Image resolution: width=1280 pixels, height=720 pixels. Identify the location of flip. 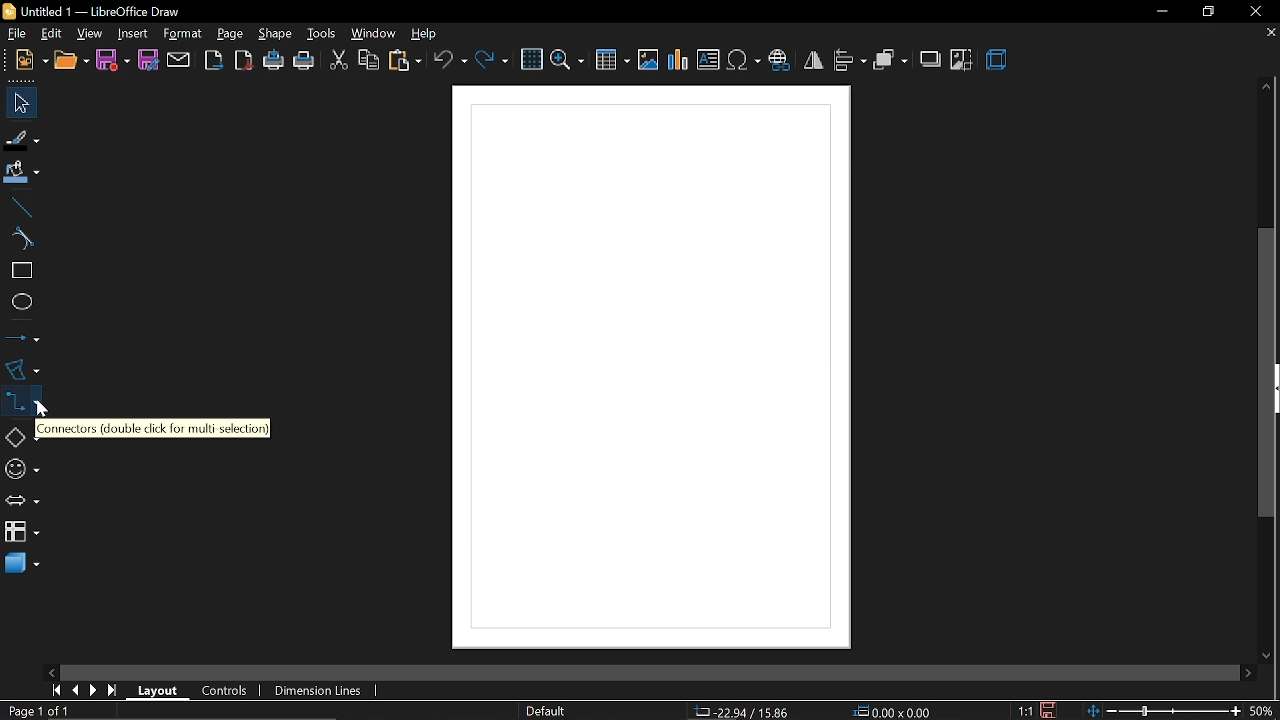
(812, 61).